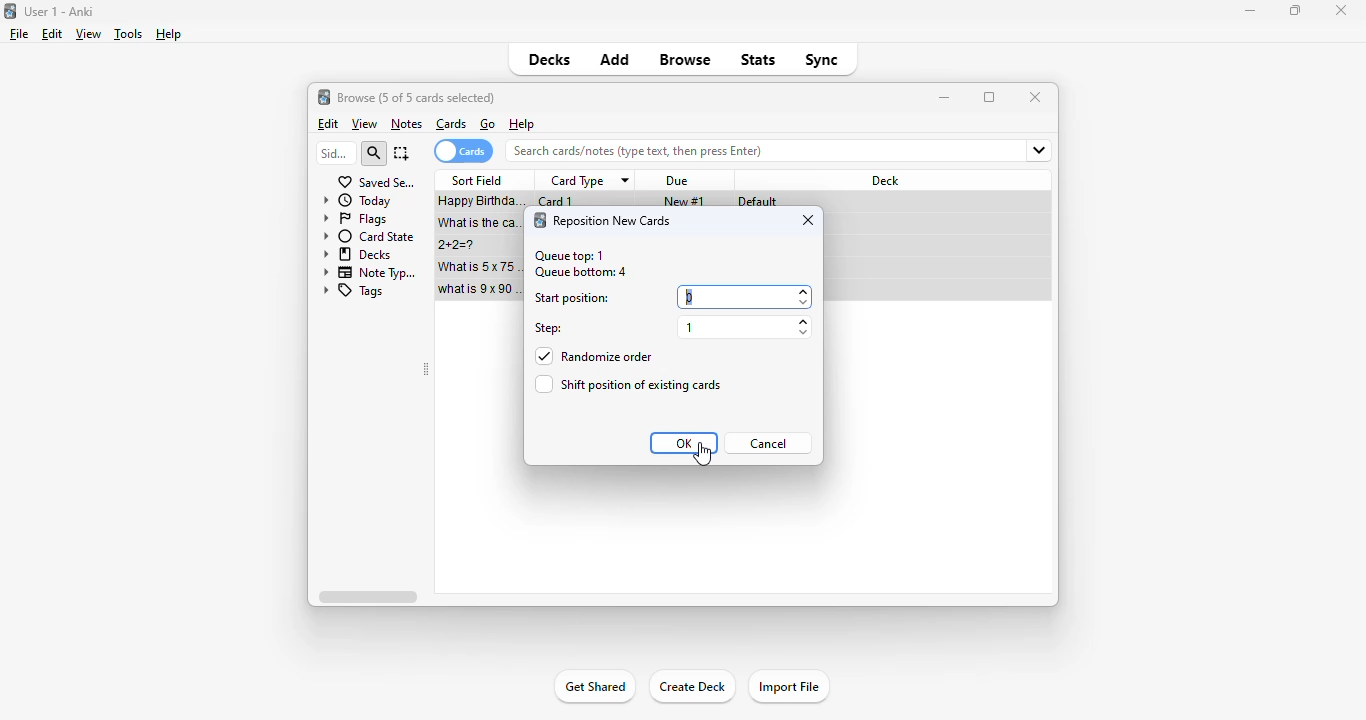  What do you see at coordinates (330, 124) in the screenshot?
I see `edit` at bounding box center [330, 124].